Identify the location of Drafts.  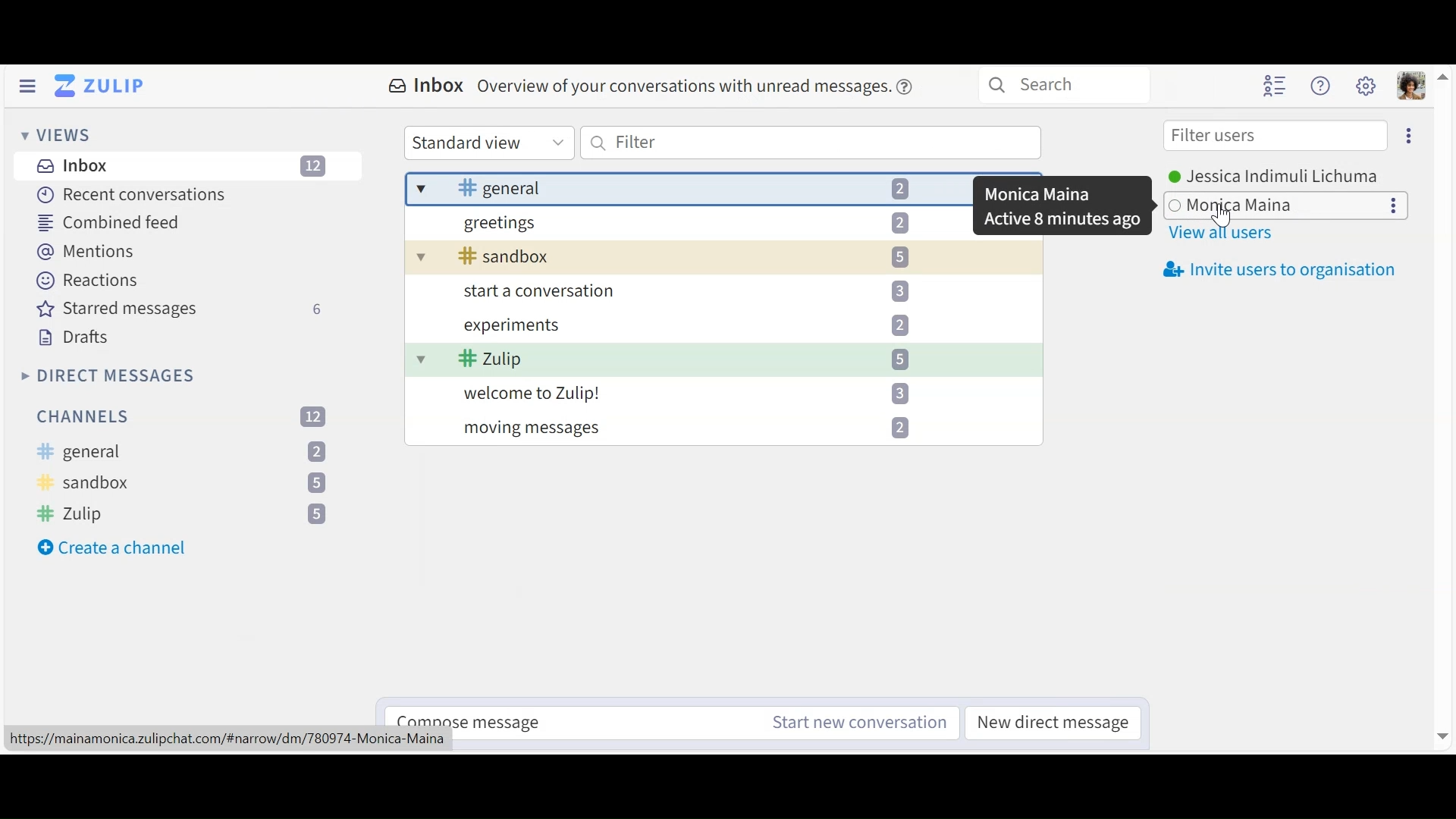
(74, 337).